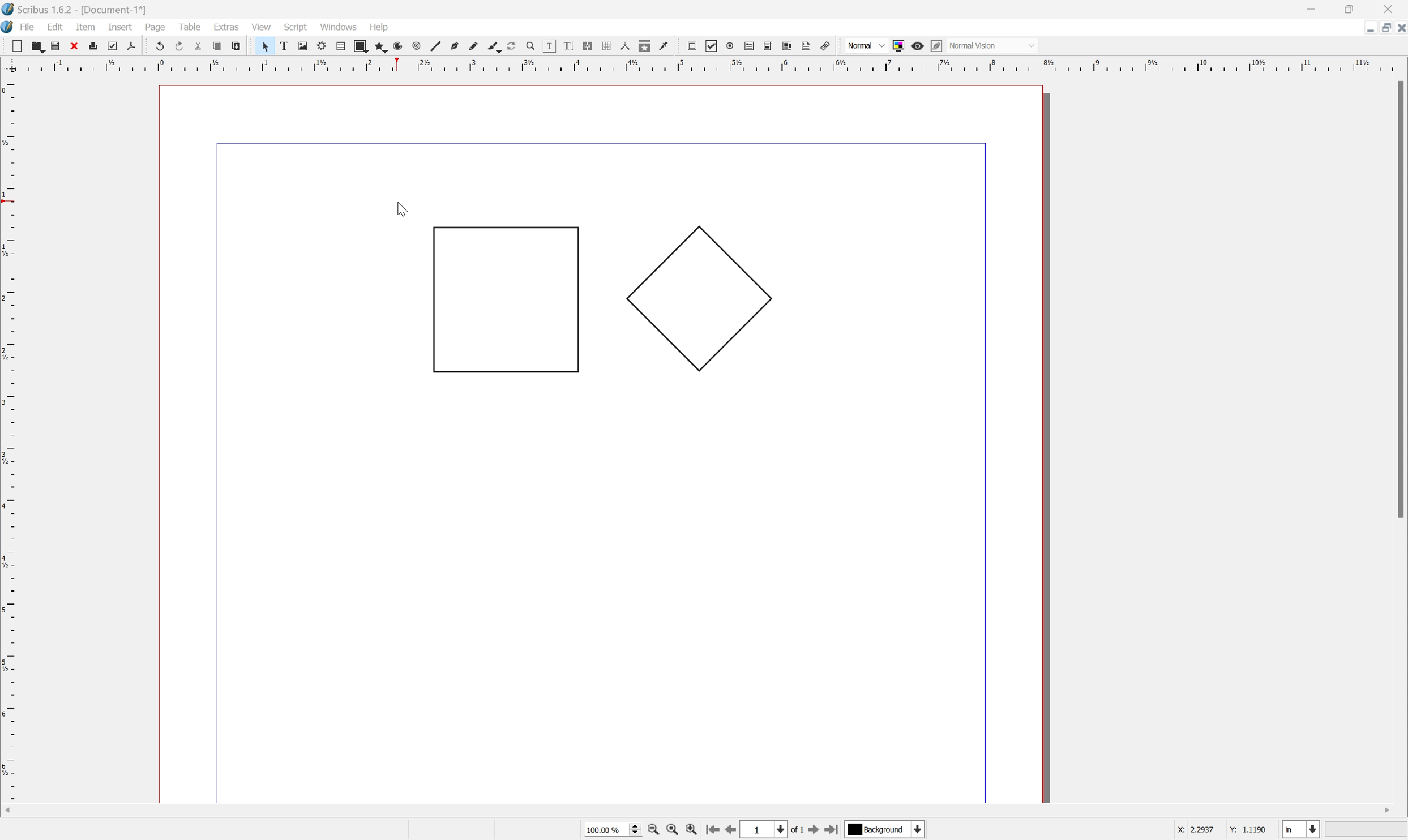  I want to click on Go to last page, so click(833, 828).